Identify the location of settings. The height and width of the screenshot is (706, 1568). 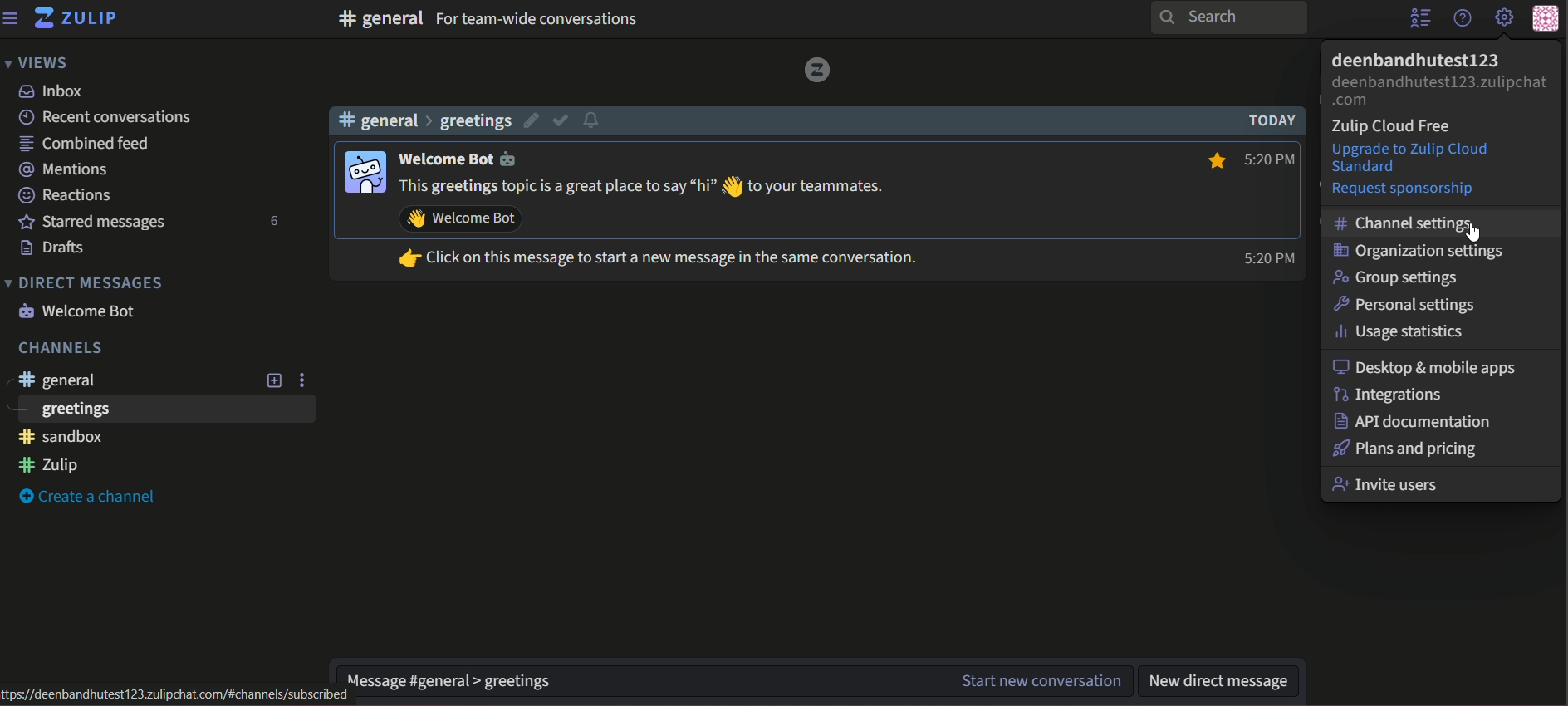
(1505, 19).